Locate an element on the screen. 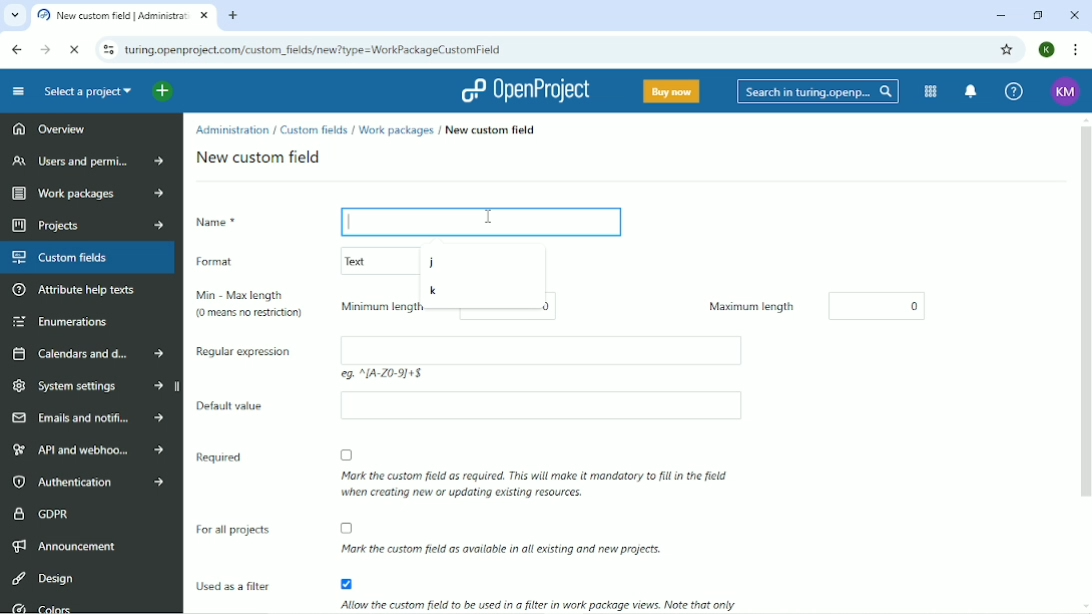 The image size is (1092, 614). Typing Cursor is located at coordinates (358, 222).